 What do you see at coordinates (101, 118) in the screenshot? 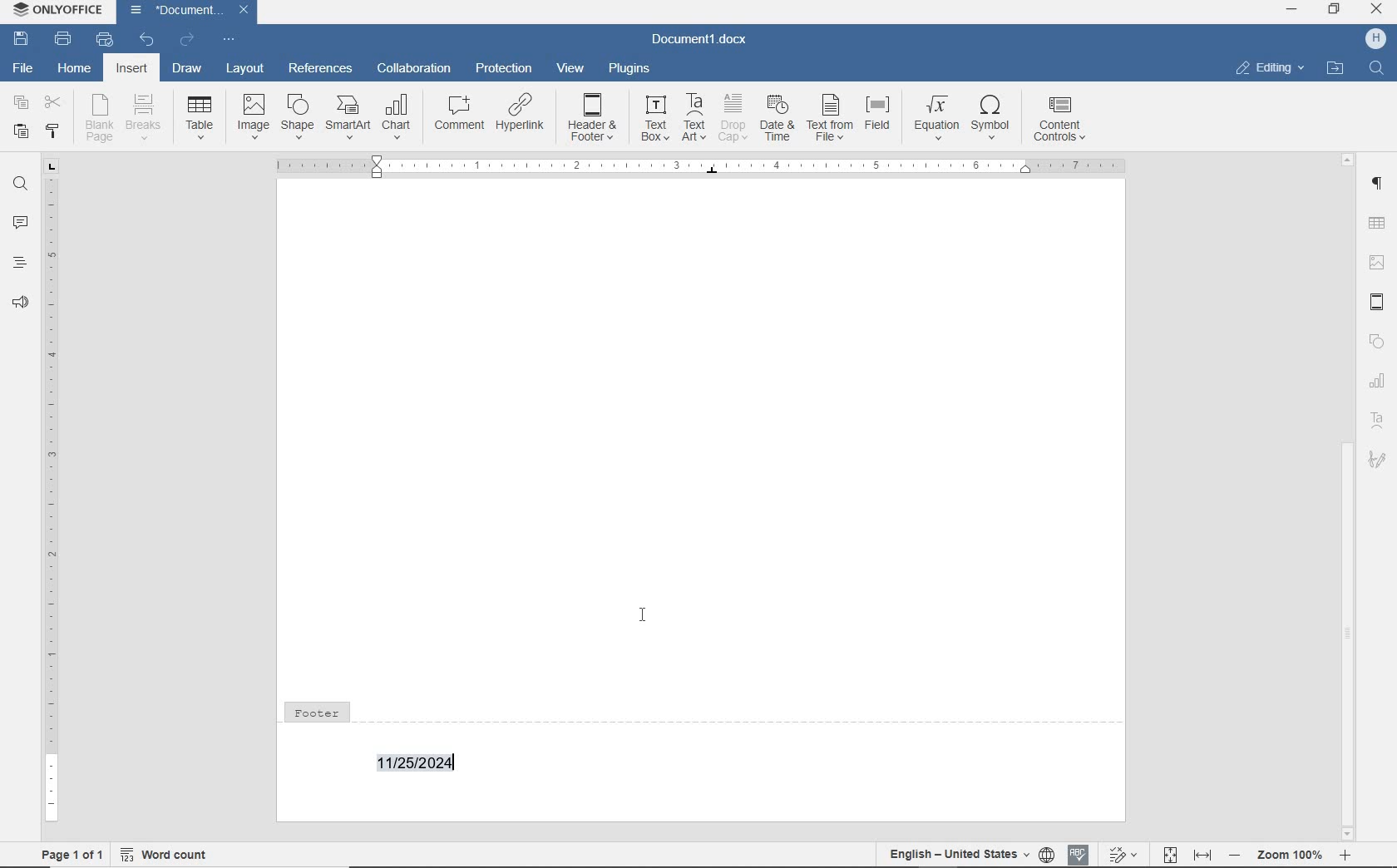
I see `blank page` at bounding box center [101, 118].